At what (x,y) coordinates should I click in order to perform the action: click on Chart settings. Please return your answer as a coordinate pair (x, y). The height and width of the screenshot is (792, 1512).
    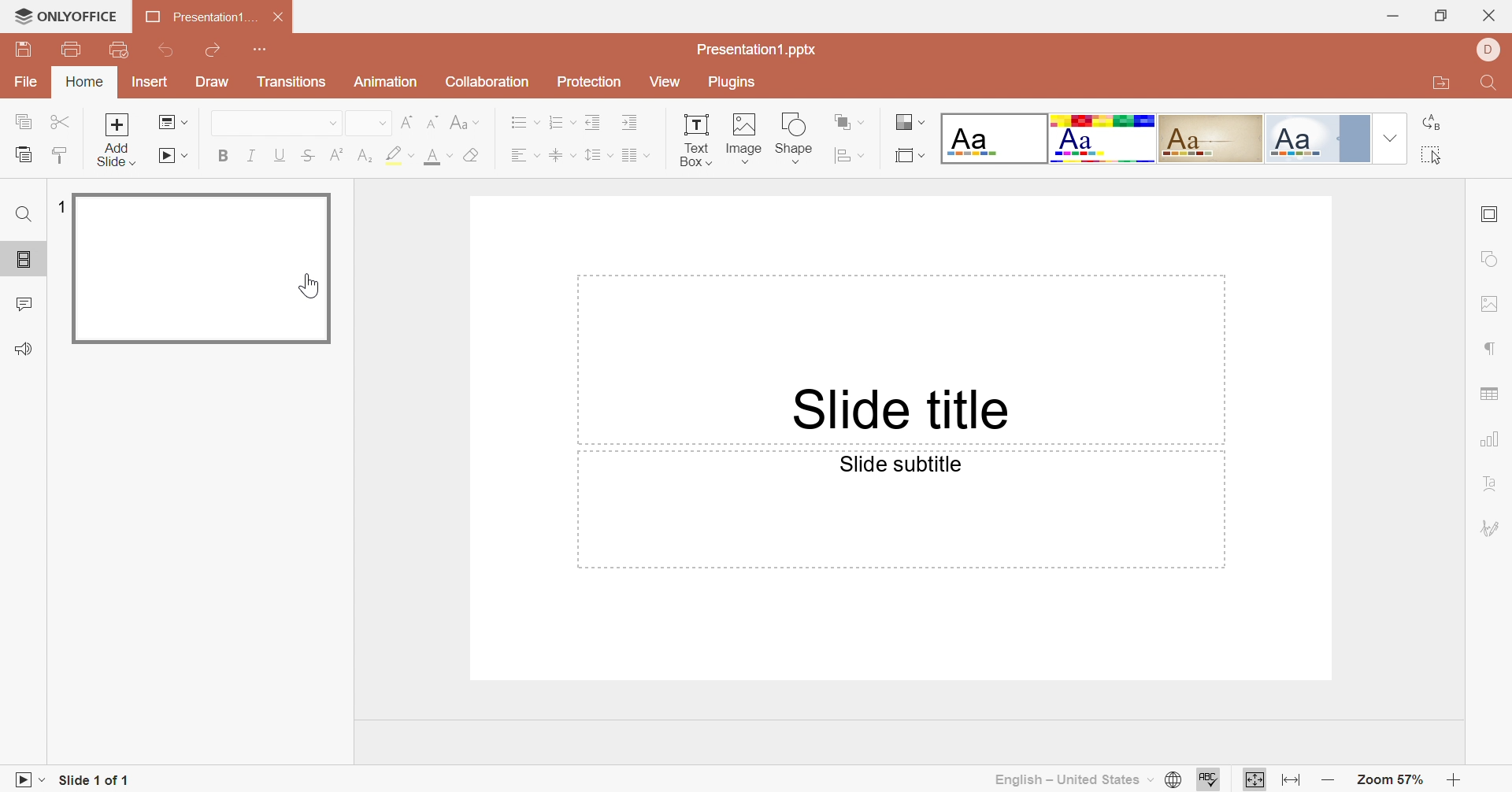
    Looking at the image, I should click on (1492, 439).